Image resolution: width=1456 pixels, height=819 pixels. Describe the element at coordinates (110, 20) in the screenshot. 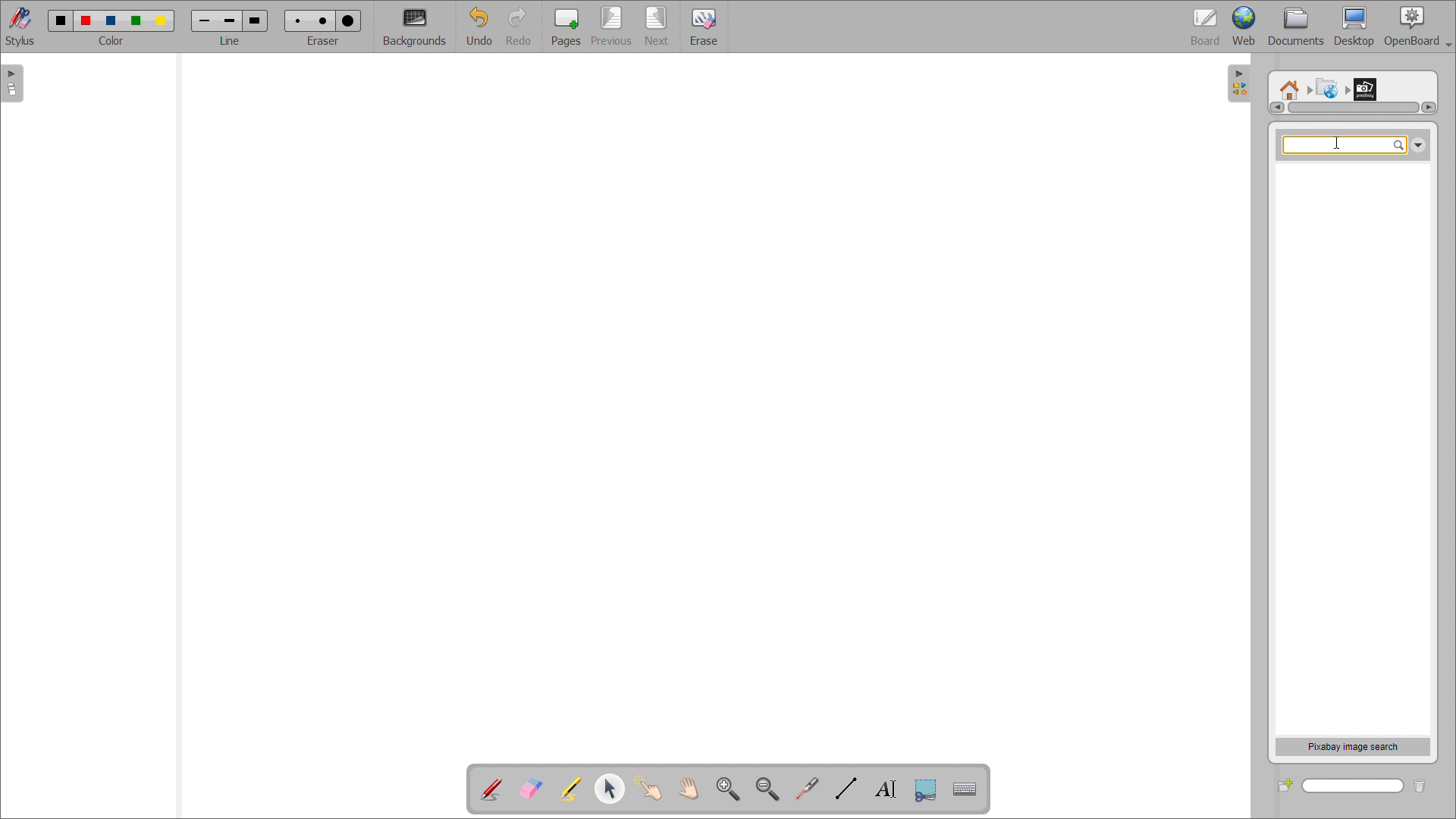

I see `Color 3` at that location.